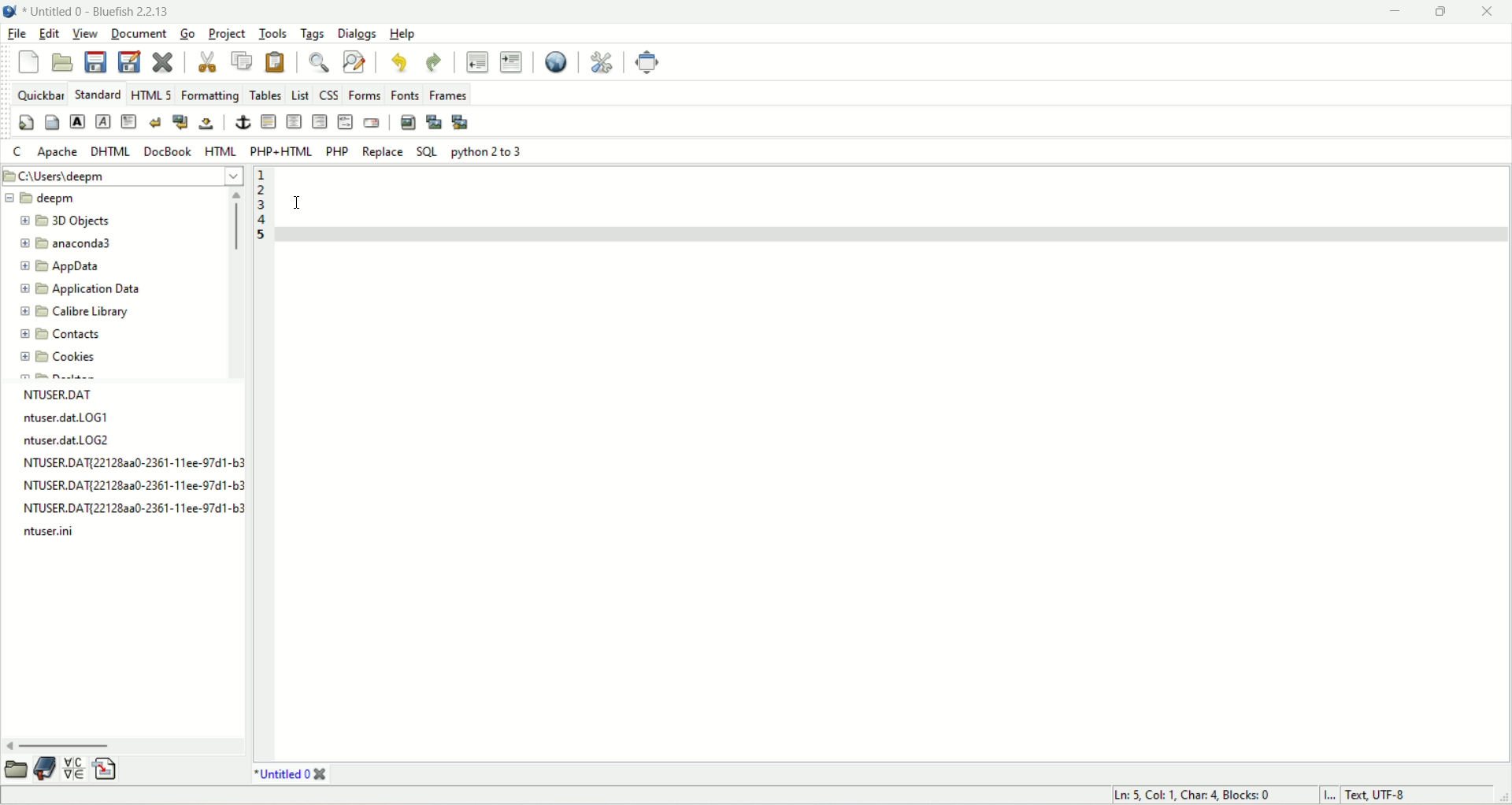  I want to click on location, so click(121, 176).